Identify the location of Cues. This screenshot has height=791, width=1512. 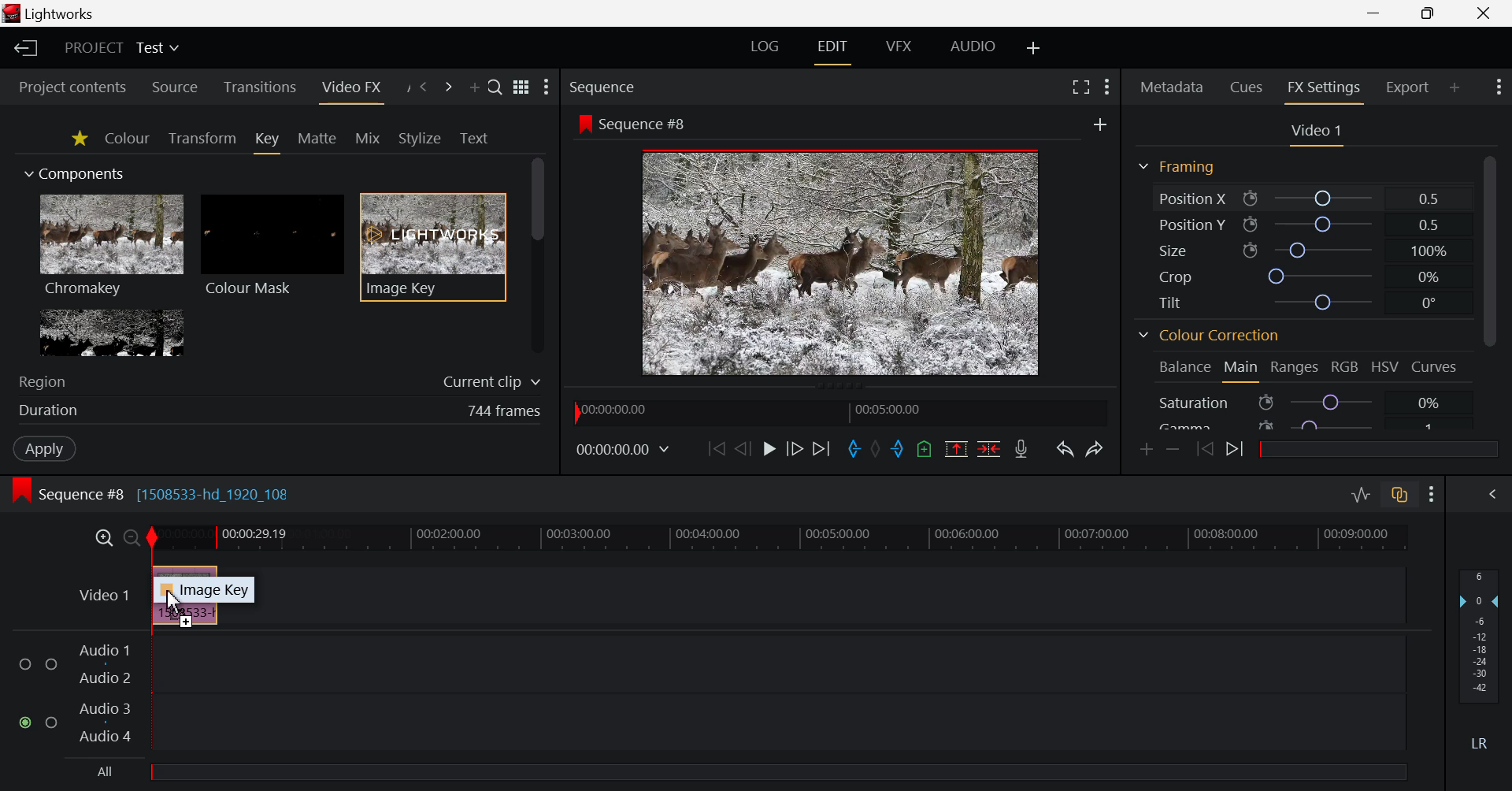
(1243, 87).